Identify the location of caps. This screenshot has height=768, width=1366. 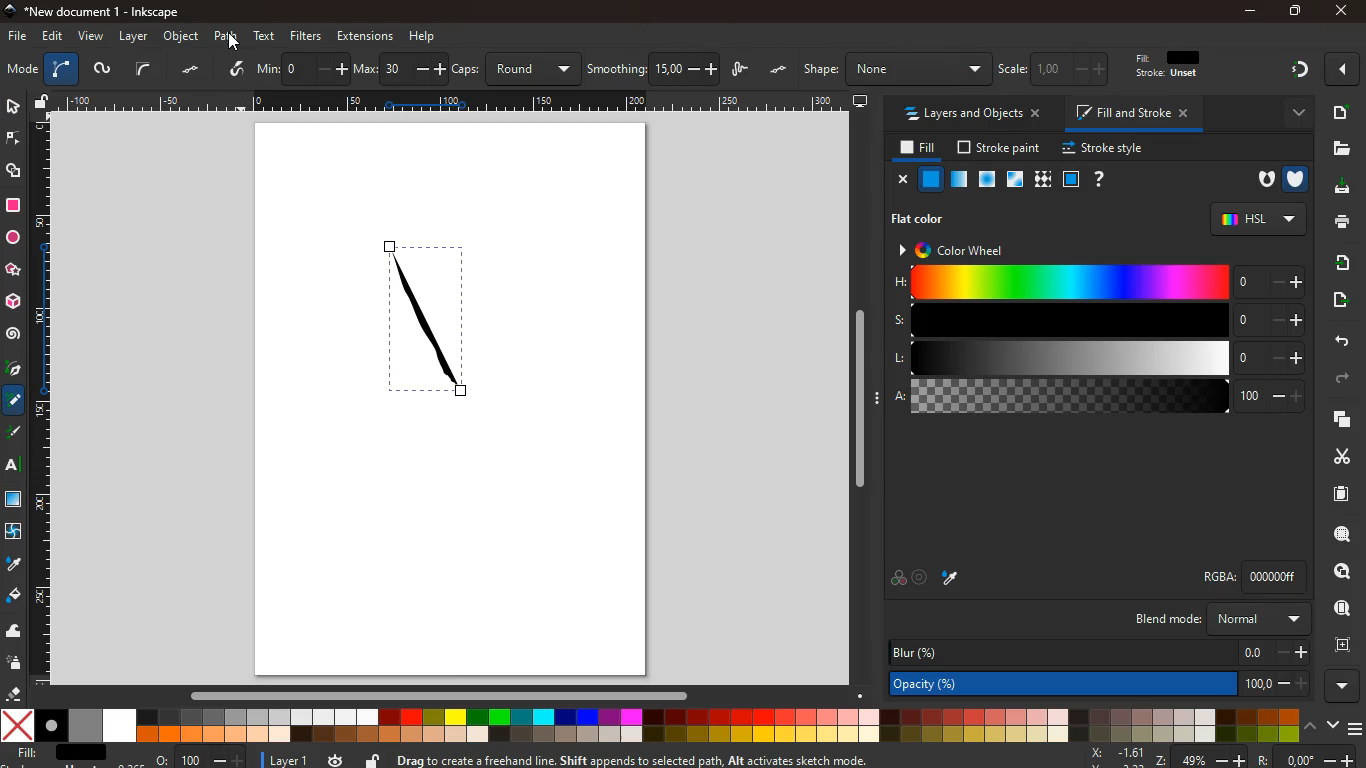
(517, 69).